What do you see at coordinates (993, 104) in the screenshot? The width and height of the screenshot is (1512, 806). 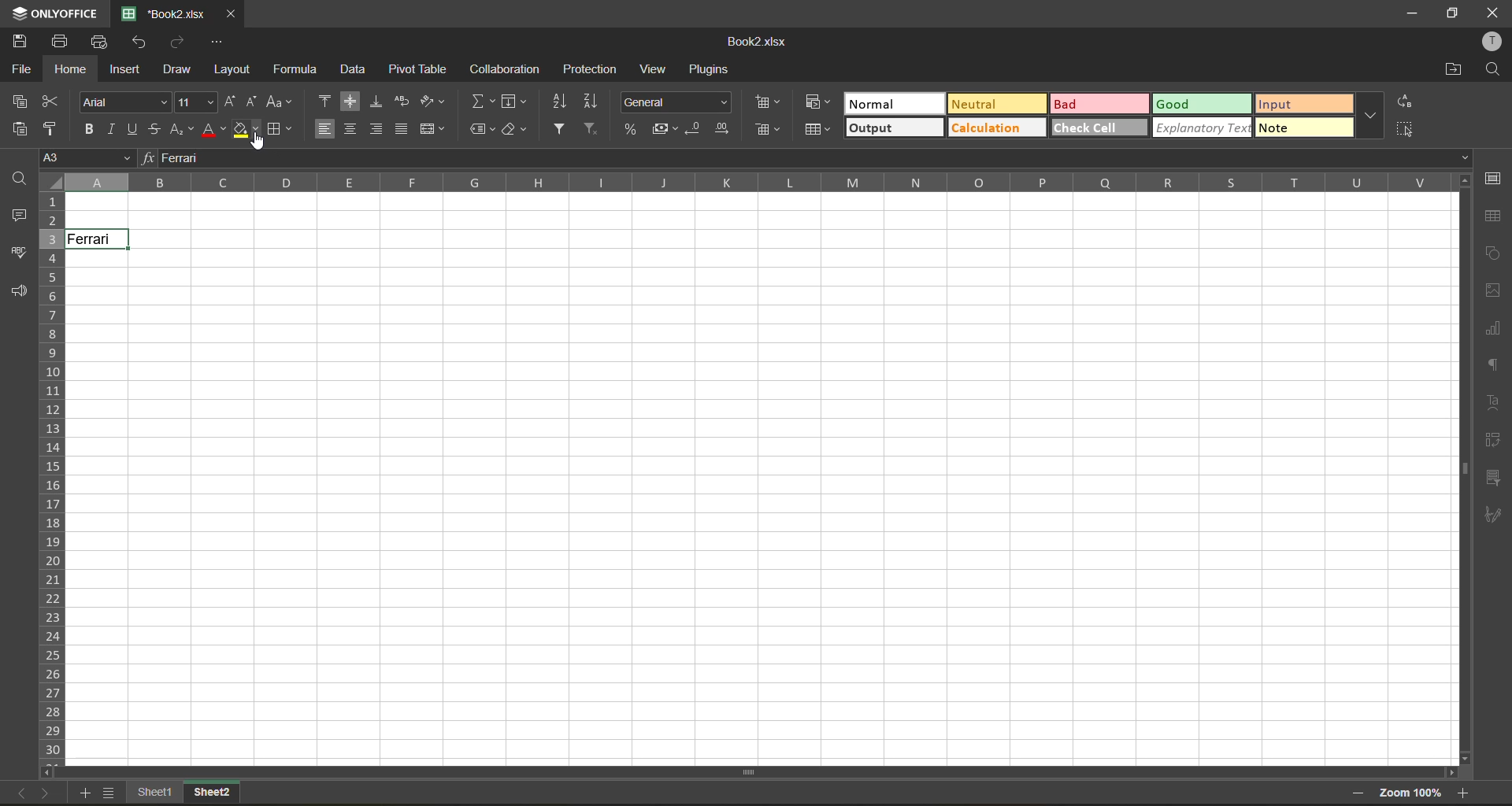 I see `neutral` at bounding box center [993, 104].